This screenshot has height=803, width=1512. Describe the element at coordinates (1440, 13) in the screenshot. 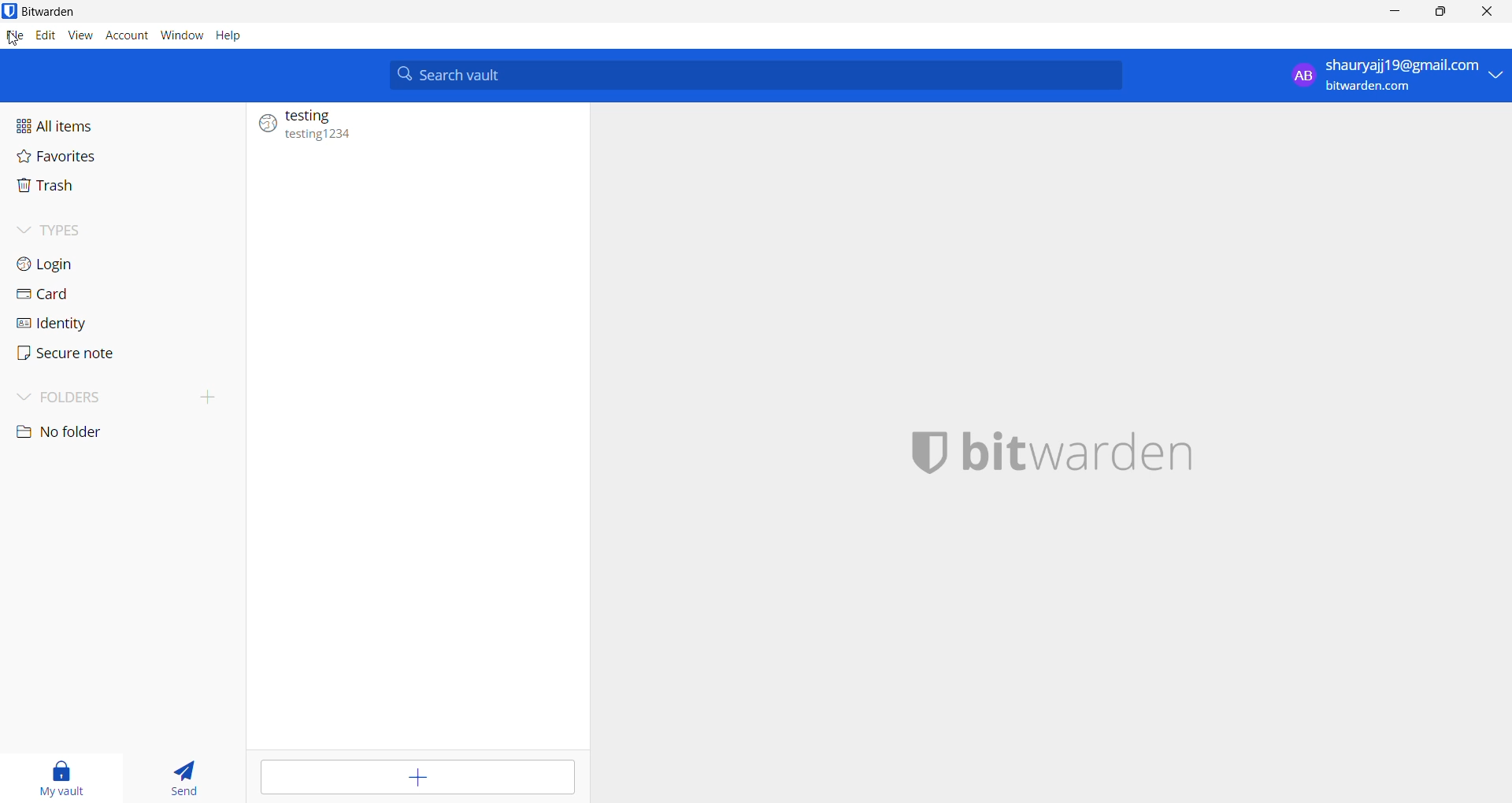

I see `maximize` at that location.